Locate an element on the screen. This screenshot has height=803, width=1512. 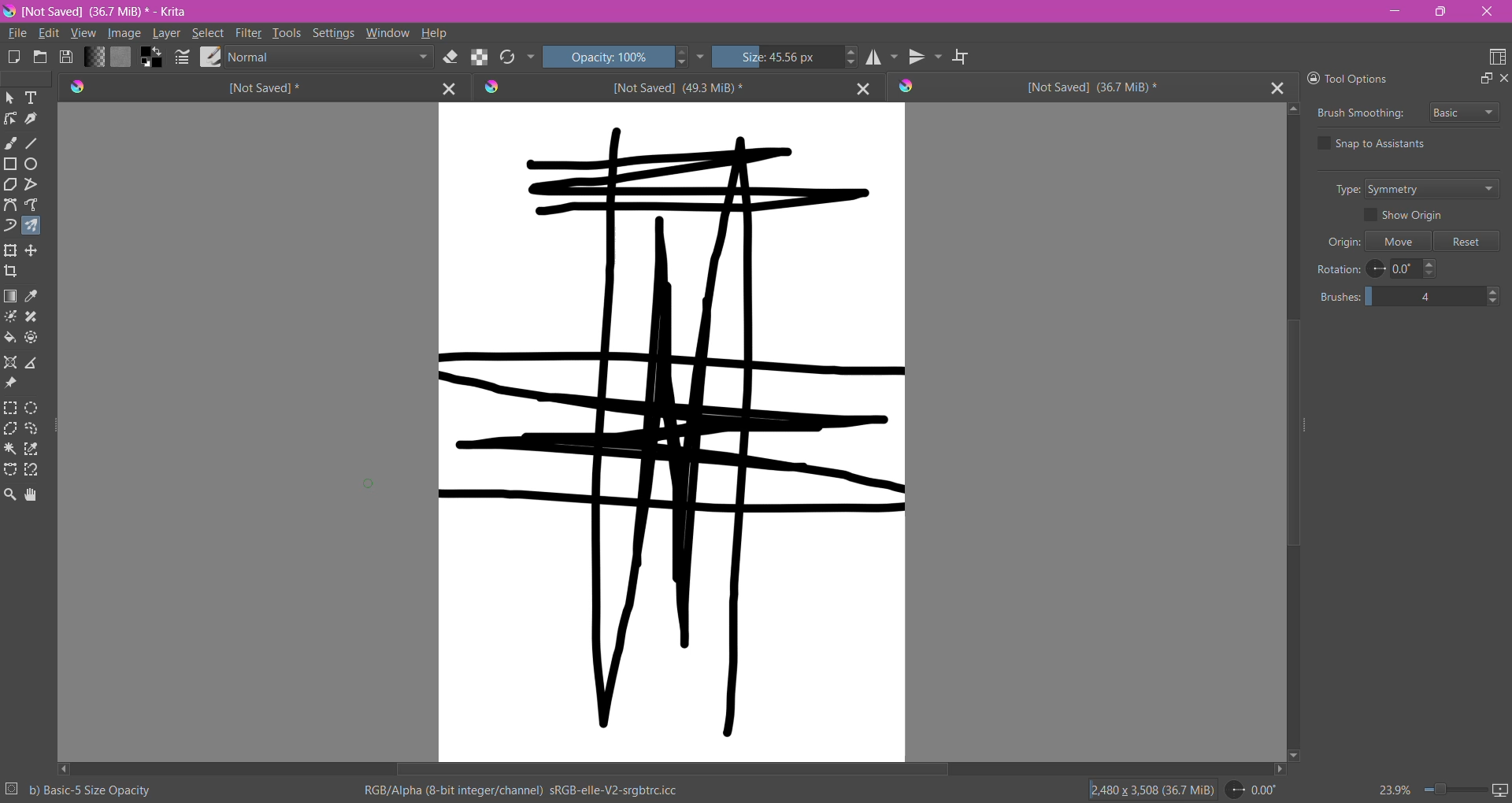
Snap to Assistants is located at coordinates (1387, 144).